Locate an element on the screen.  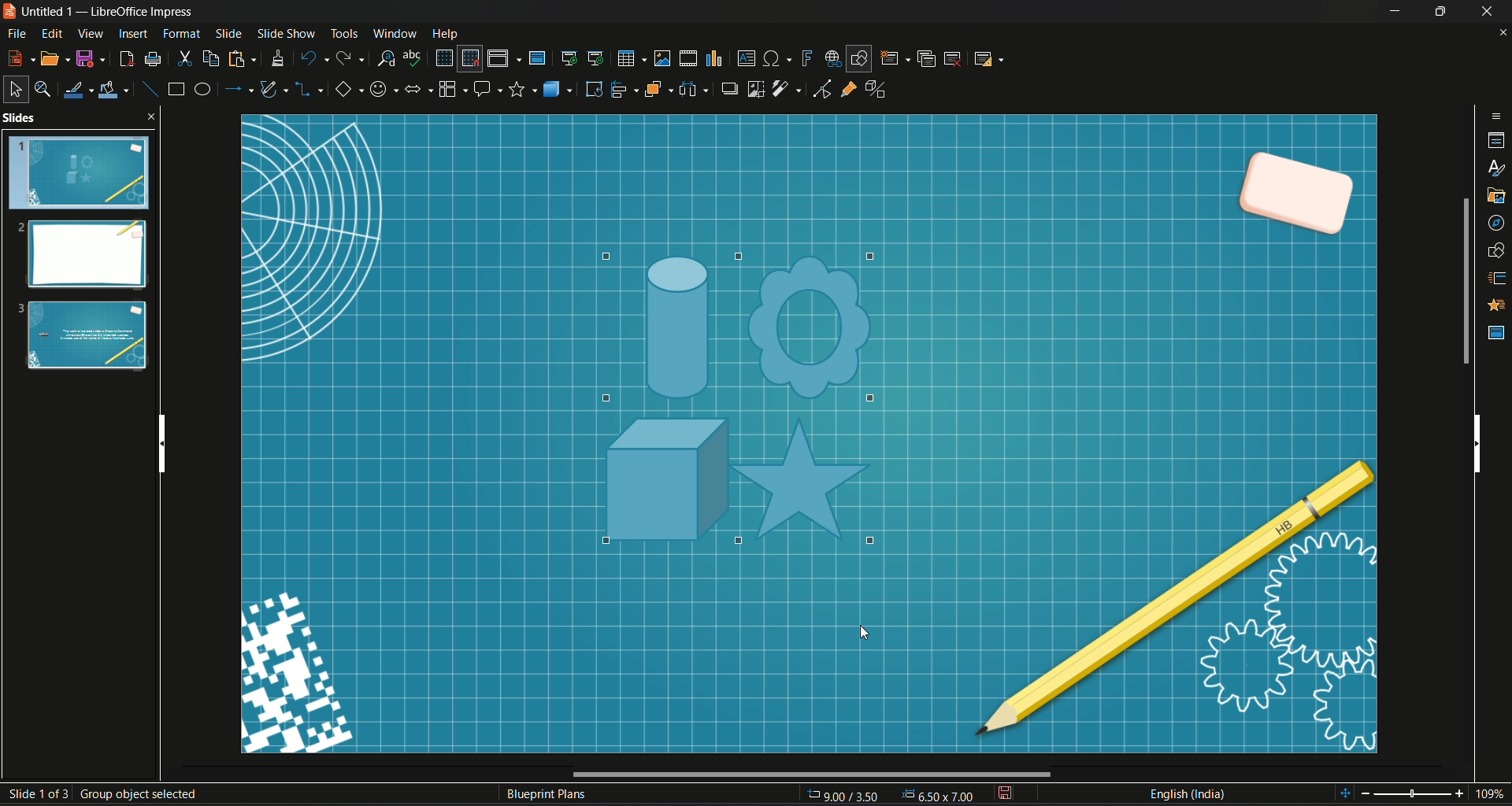
insert hyperlink is located at coordinates (832, 58).